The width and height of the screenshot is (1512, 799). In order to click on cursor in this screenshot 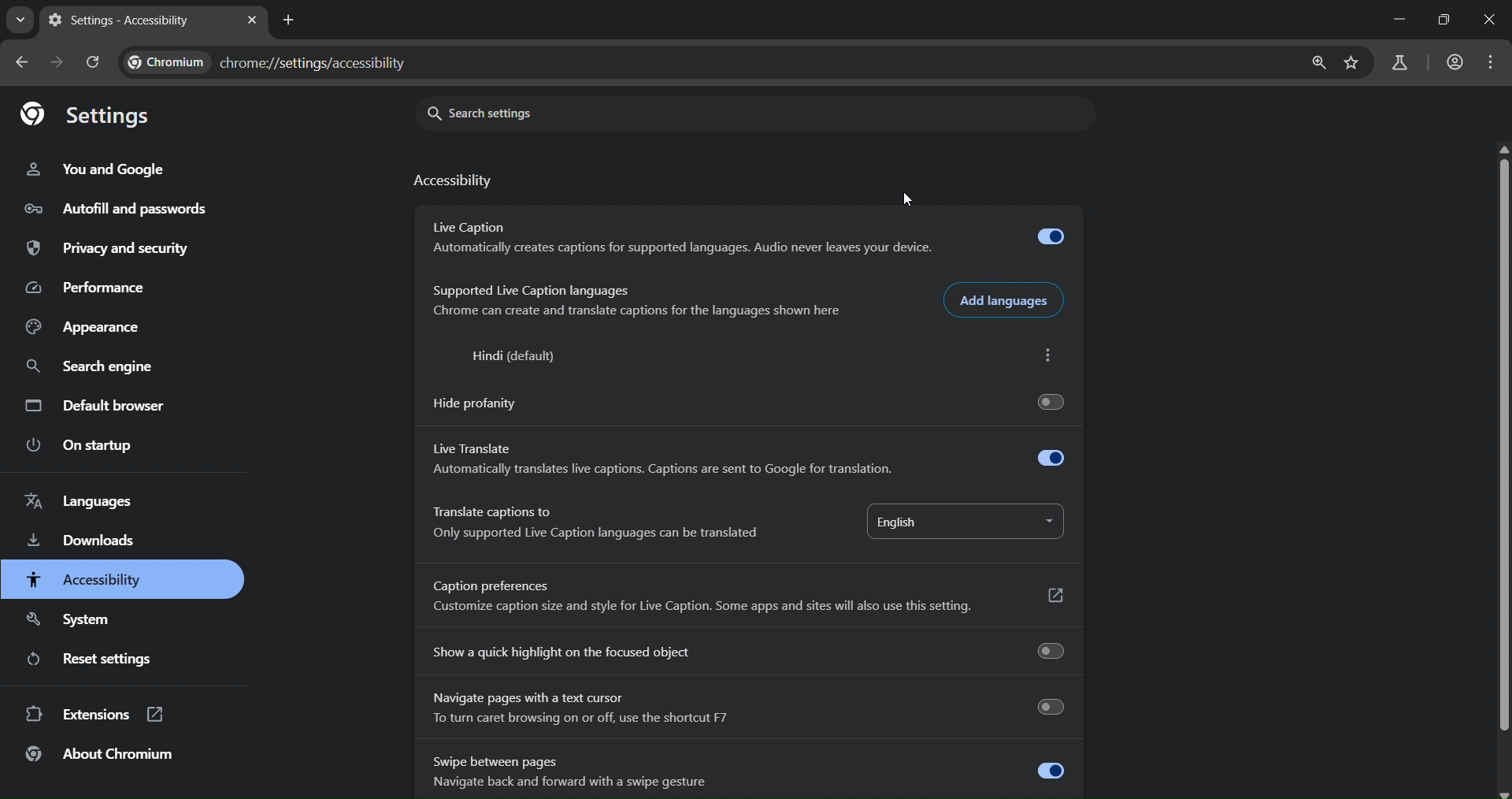, I will do `click(908, 198)`.